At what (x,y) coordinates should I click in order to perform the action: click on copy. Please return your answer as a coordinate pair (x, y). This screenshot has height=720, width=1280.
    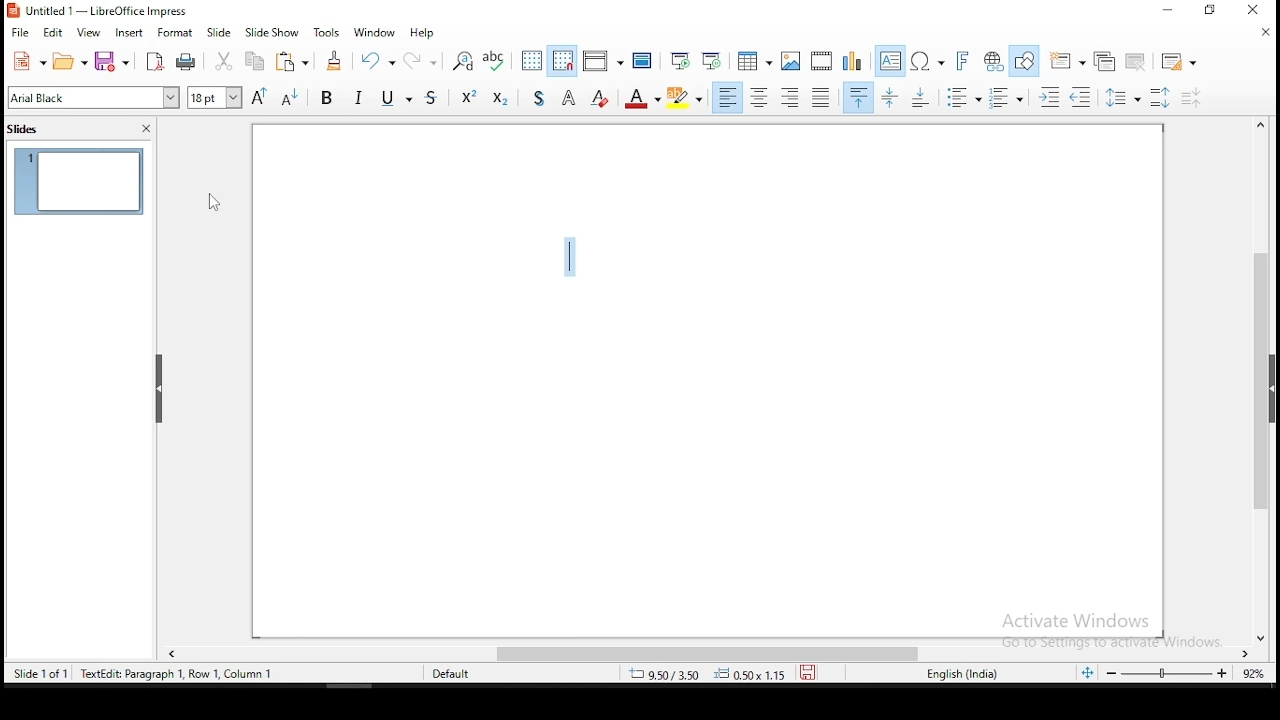
    Looking at the image, I should click on (253, 61).